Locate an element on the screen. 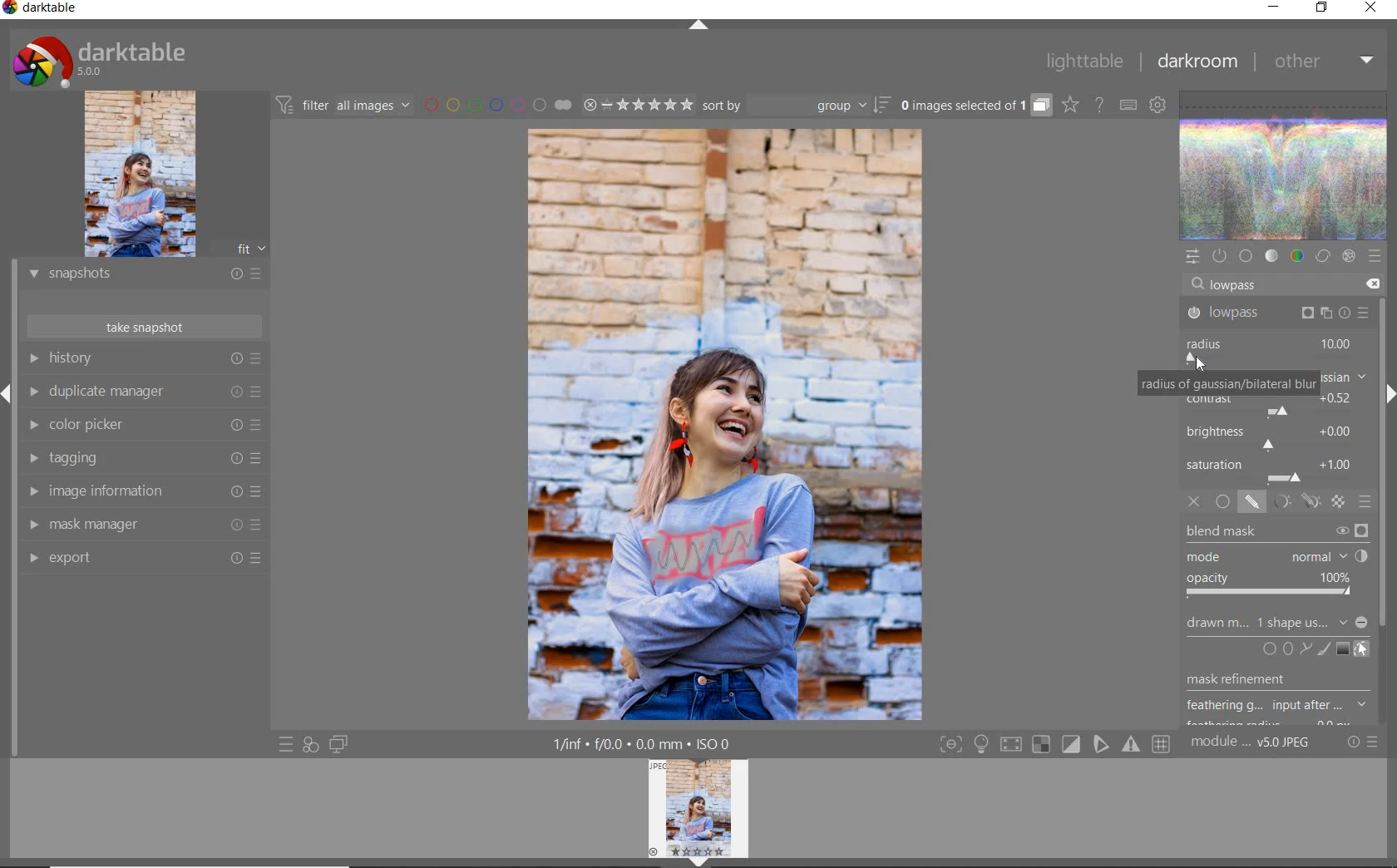 This screenshot has height=868, width=1397. contrast is located at coordinates (1272, 405).